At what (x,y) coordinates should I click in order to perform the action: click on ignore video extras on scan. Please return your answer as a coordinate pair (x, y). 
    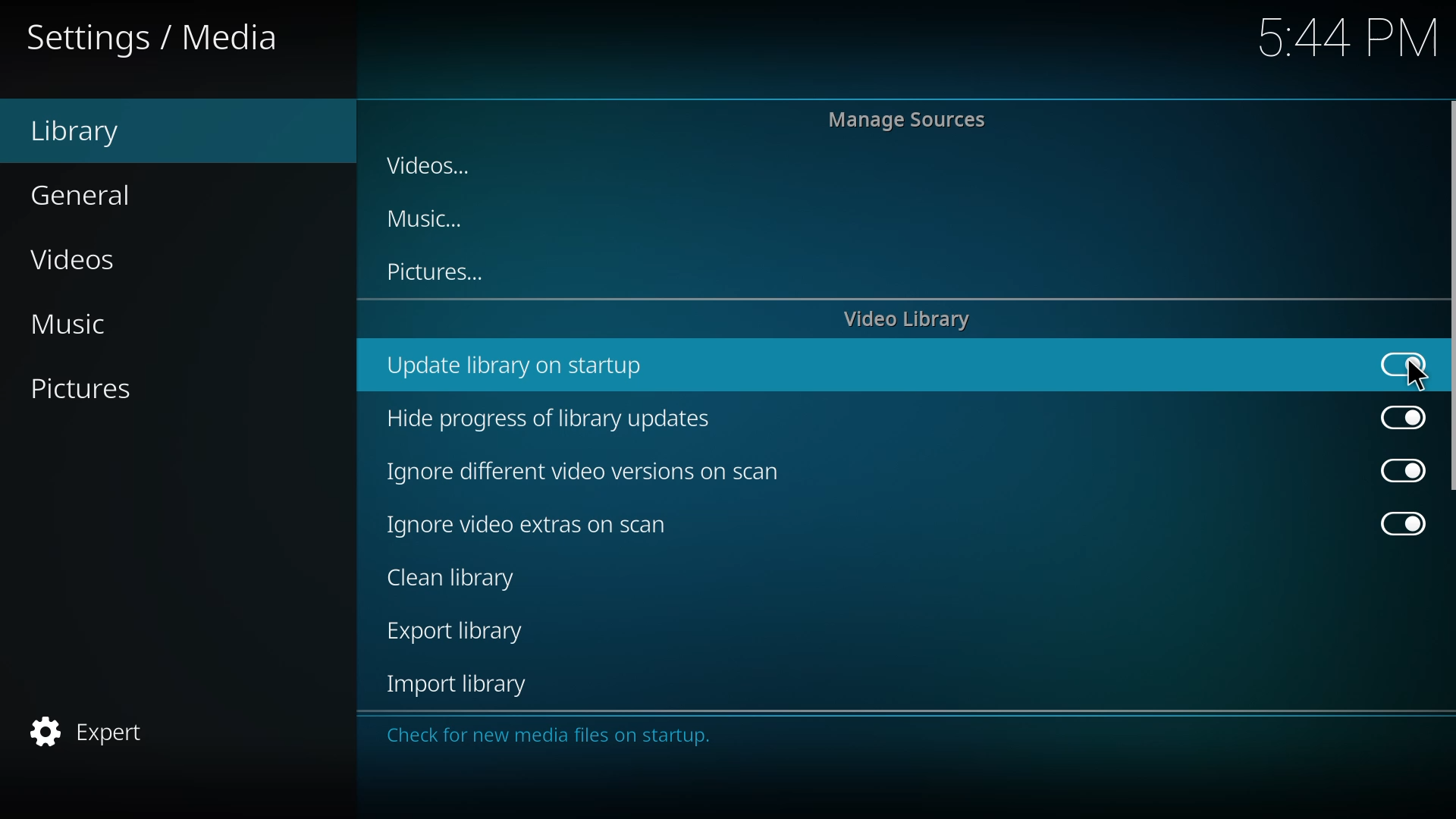
    Looking at the image, I should click on (529, 526).